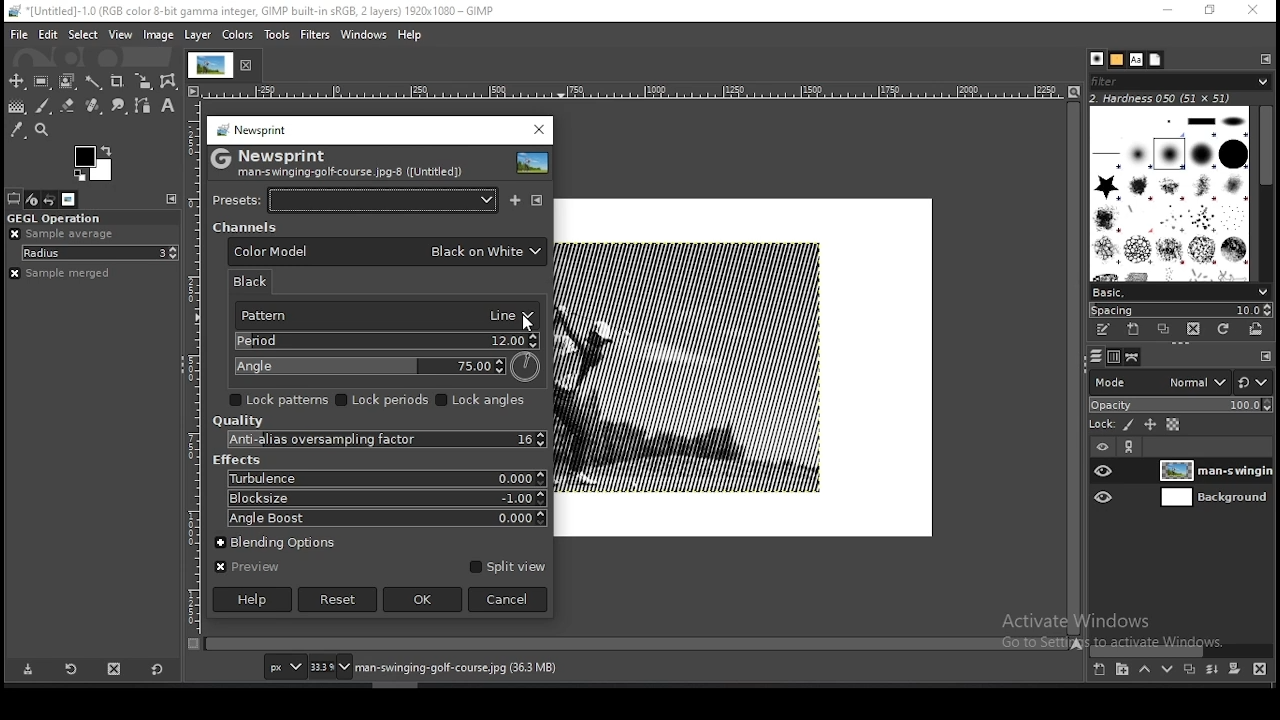 Image resolution: width=1280 pixels, height=720 pixels. I want to click on move tool, so click(16, 81).